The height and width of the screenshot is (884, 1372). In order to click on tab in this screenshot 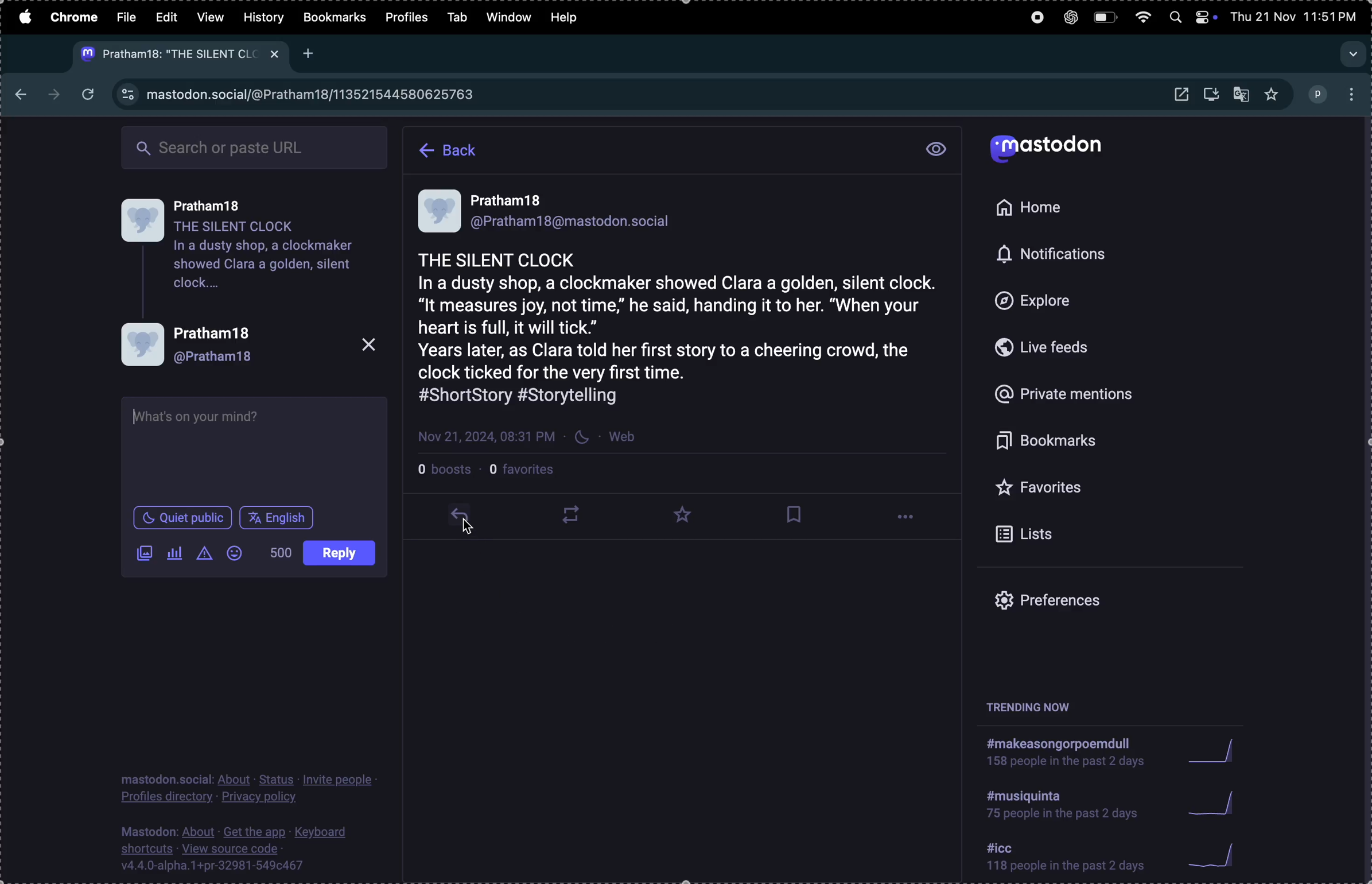, I will do `click(460, 17)`.